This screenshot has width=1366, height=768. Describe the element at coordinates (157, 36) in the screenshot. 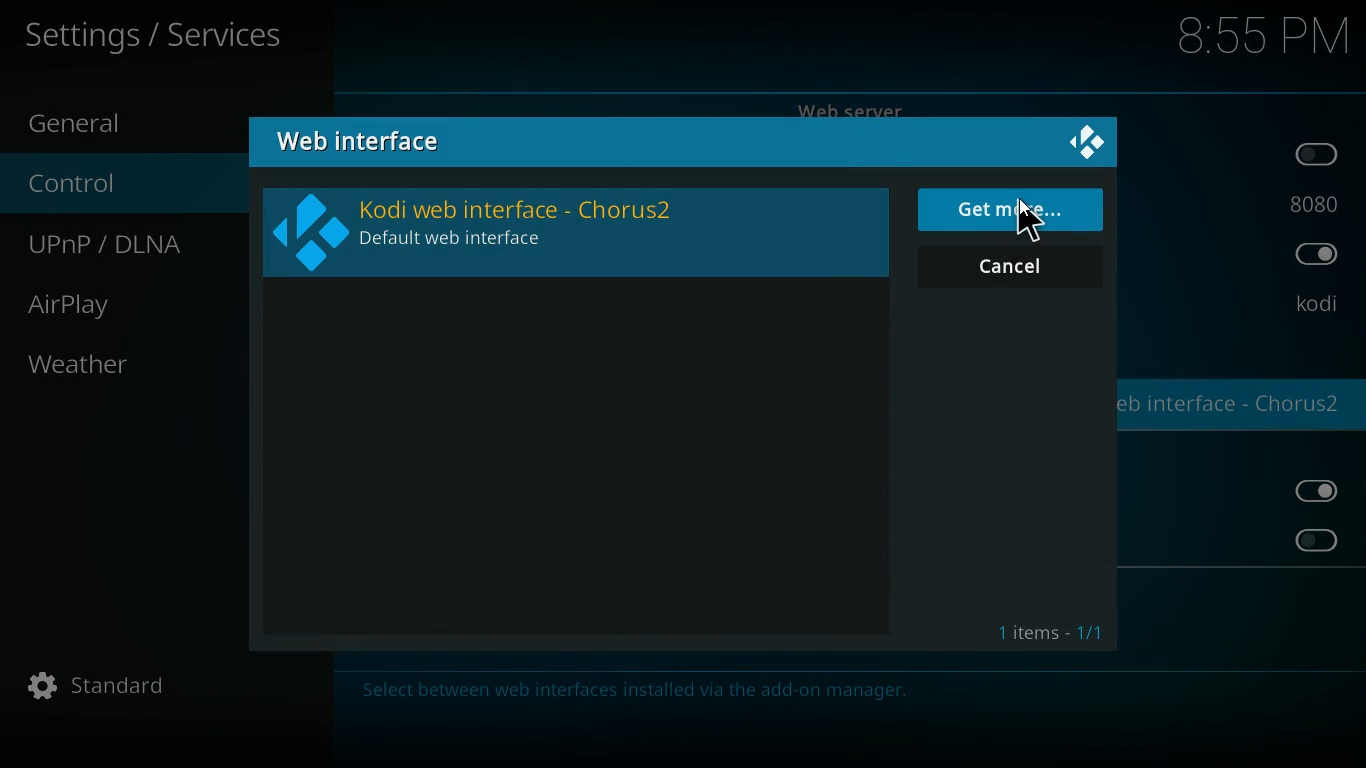

I see `Settings / Services` at that location.